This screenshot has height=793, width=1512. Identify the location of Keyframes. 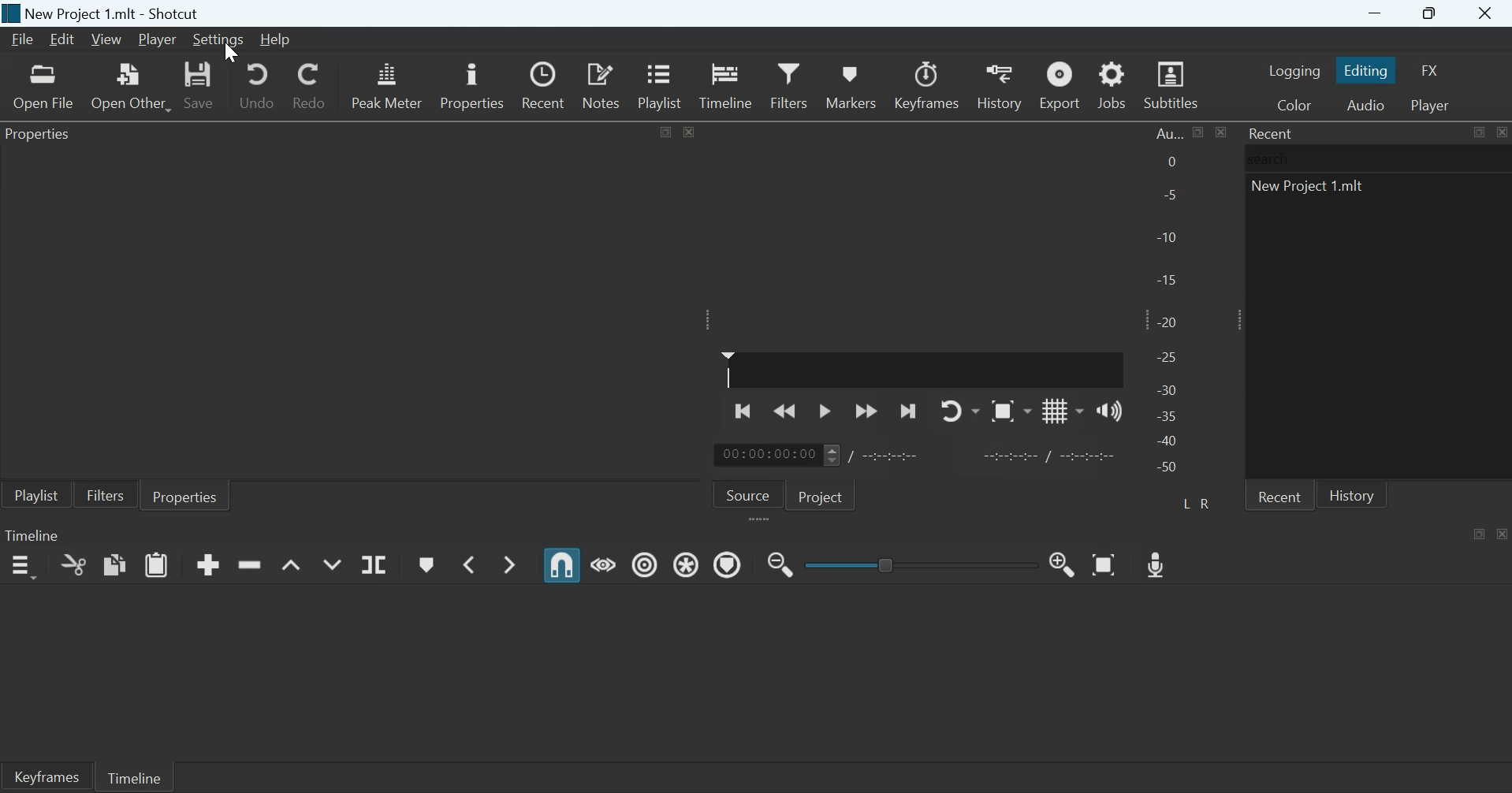
(46, 776).